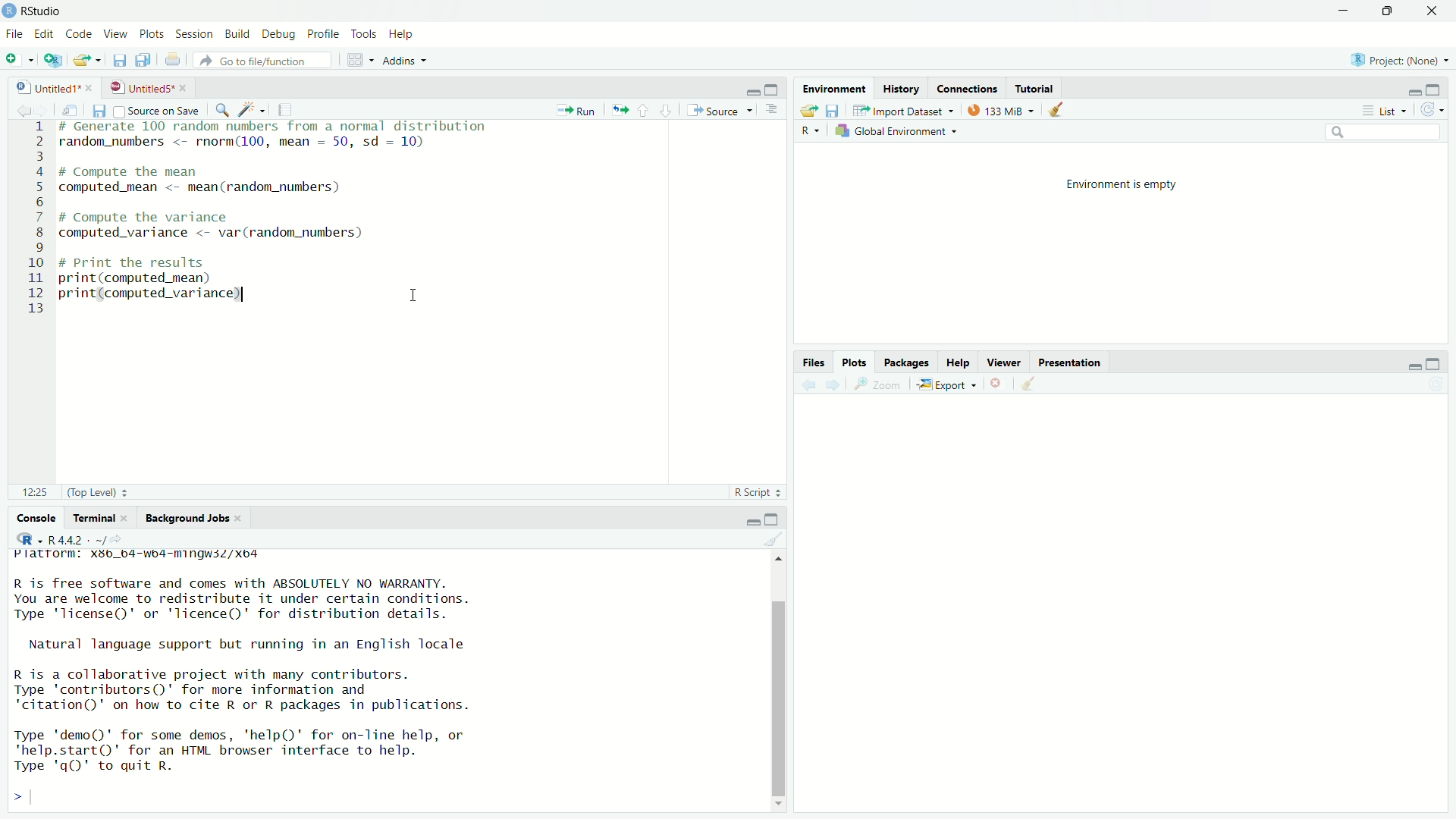 This screenshot has height=819, width=1456. Describe the element at coordinates (9, 11) in the screenshot. I see `logo` at that location.